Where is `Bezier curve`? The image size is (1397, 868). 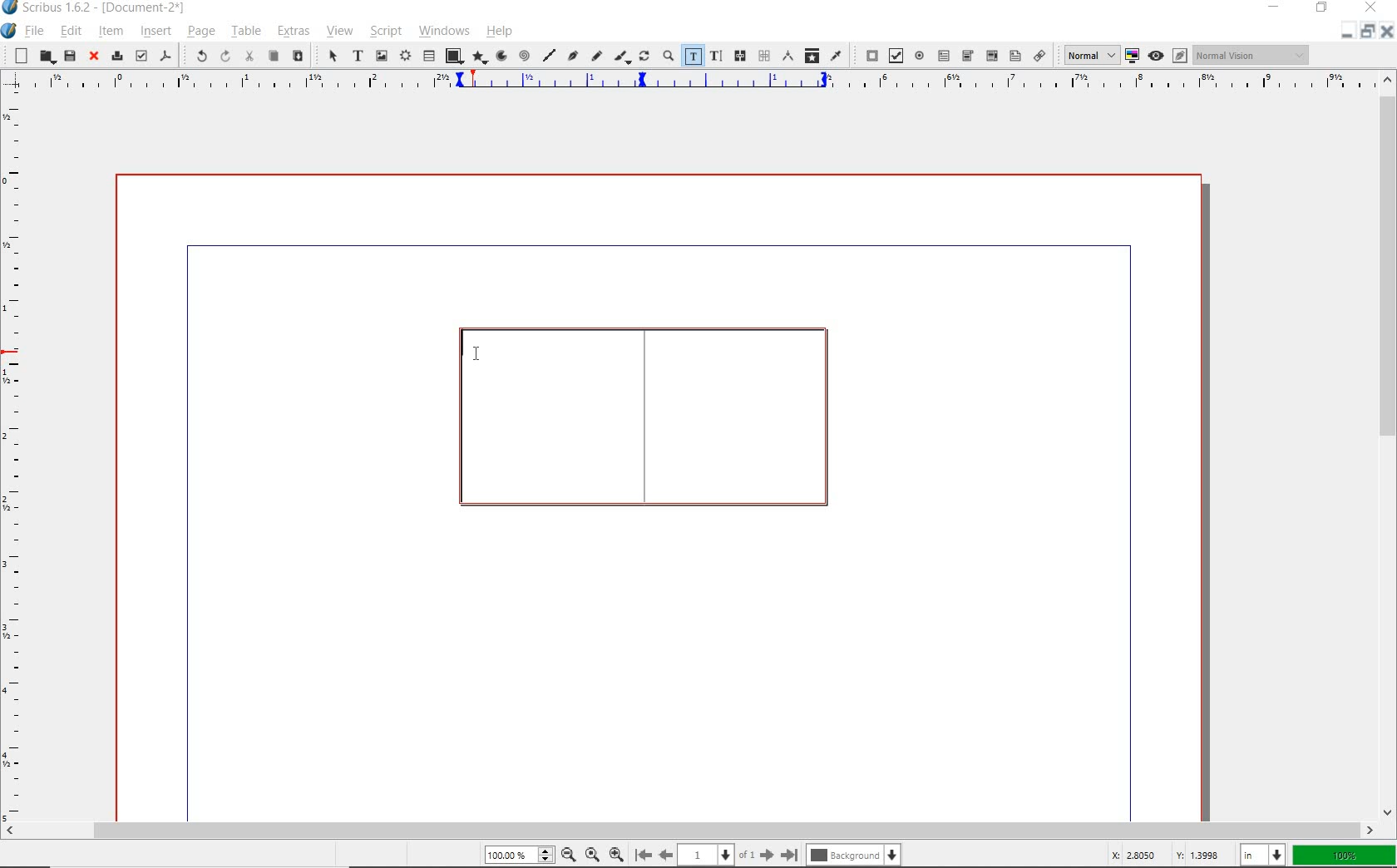
Bezier curve is located at coordinates (573, 55).